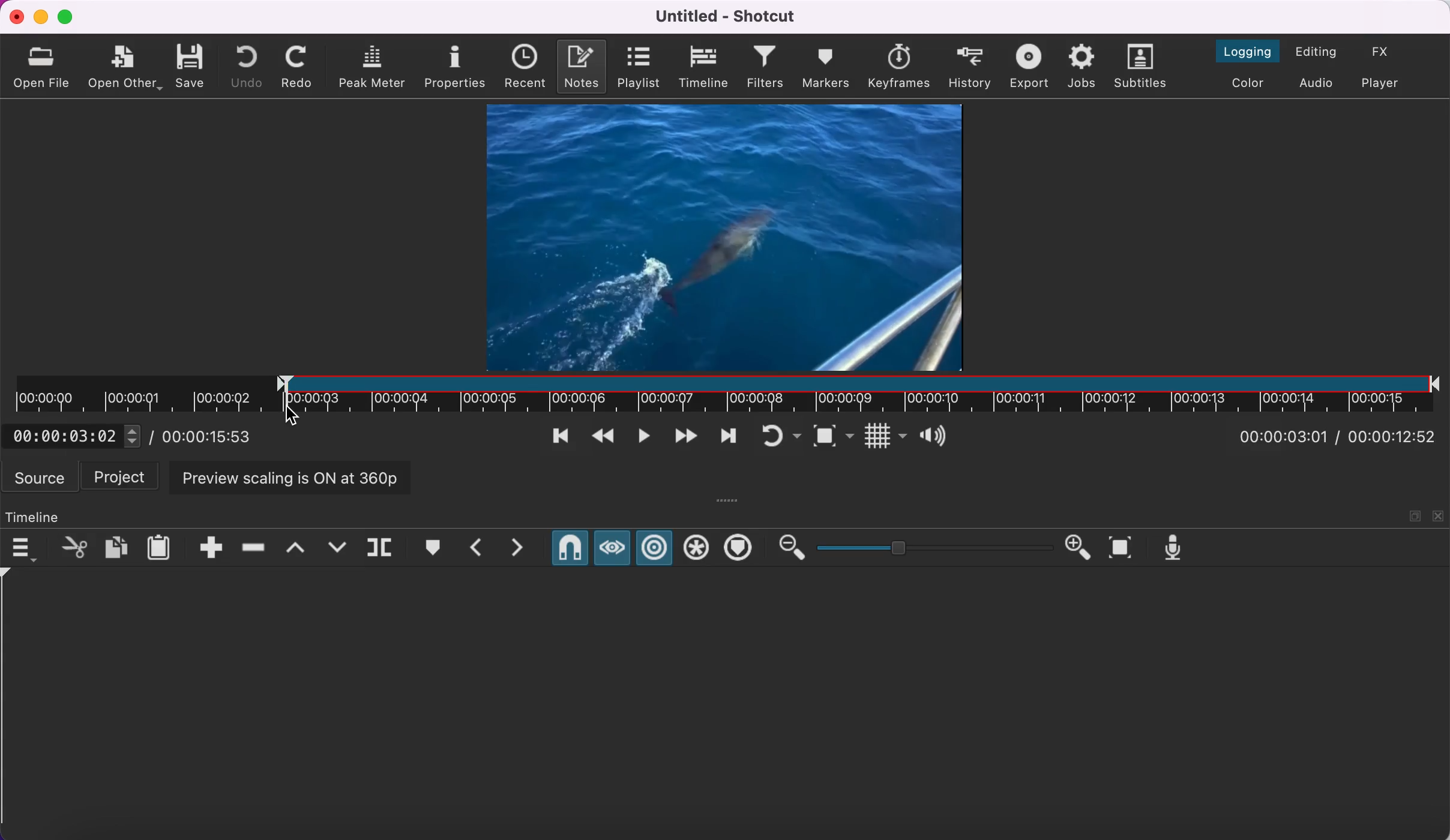  What do you see at coordinates (1415, 515) in the screenshot?
I see `maximize` at bounding box center [1415, 515].